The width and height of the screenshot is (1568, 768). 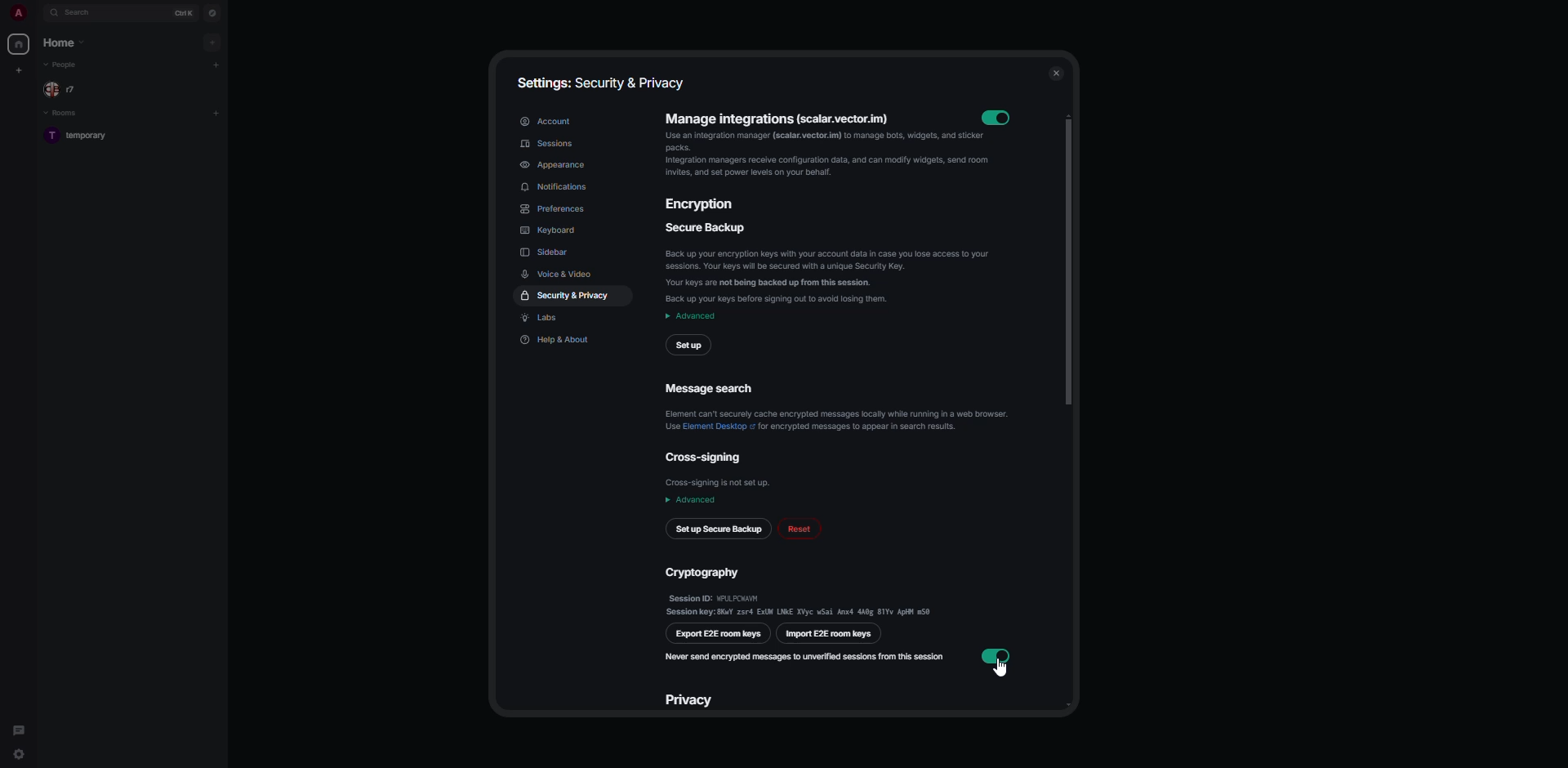 What do you see at coordinates (18, 756) in the screenshot?
I see `quick settings` at bounding box center [18, 756].